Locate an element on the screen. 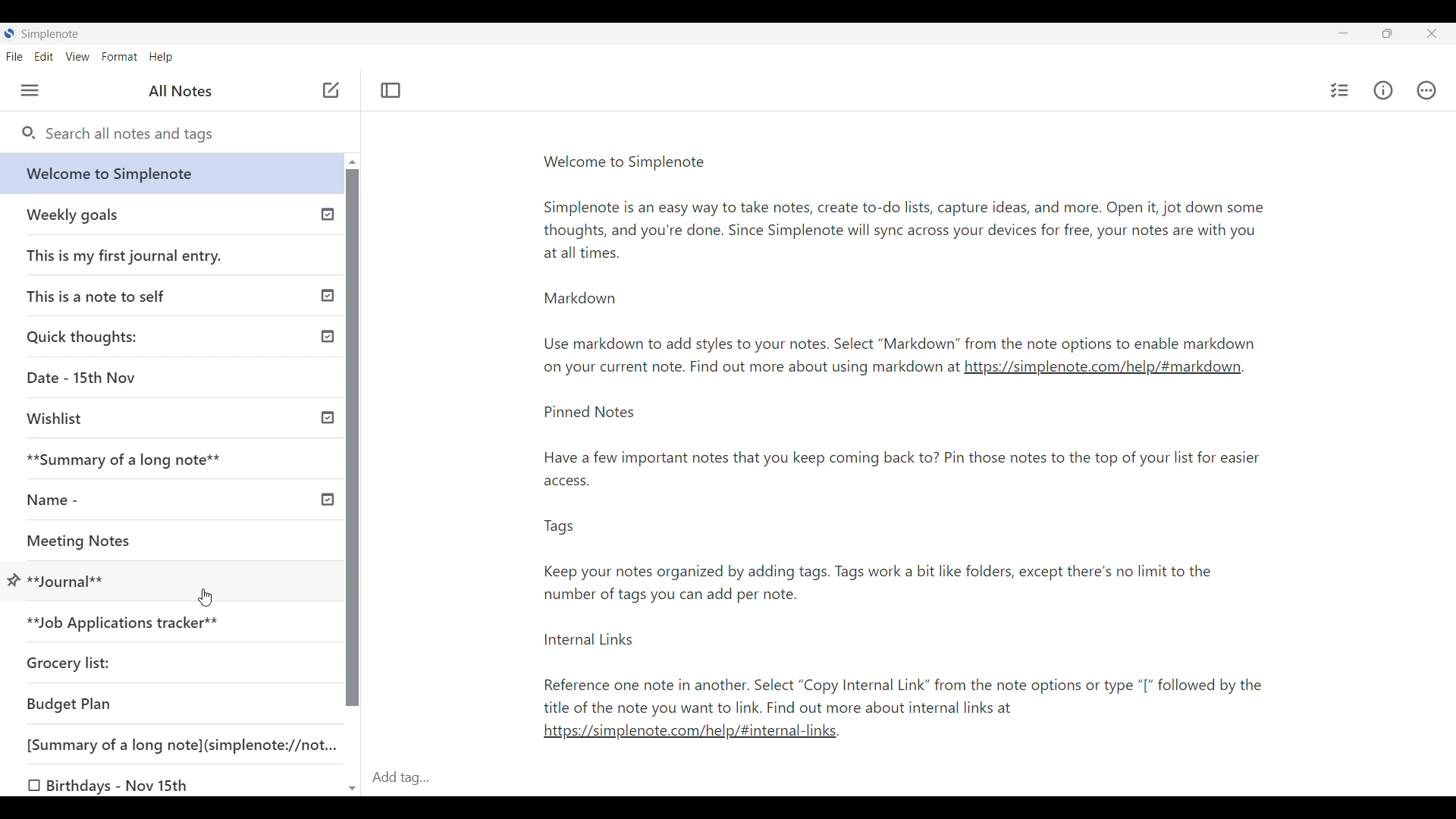  O Birthdays - Nov 15th is located at coordinates (111, 786).